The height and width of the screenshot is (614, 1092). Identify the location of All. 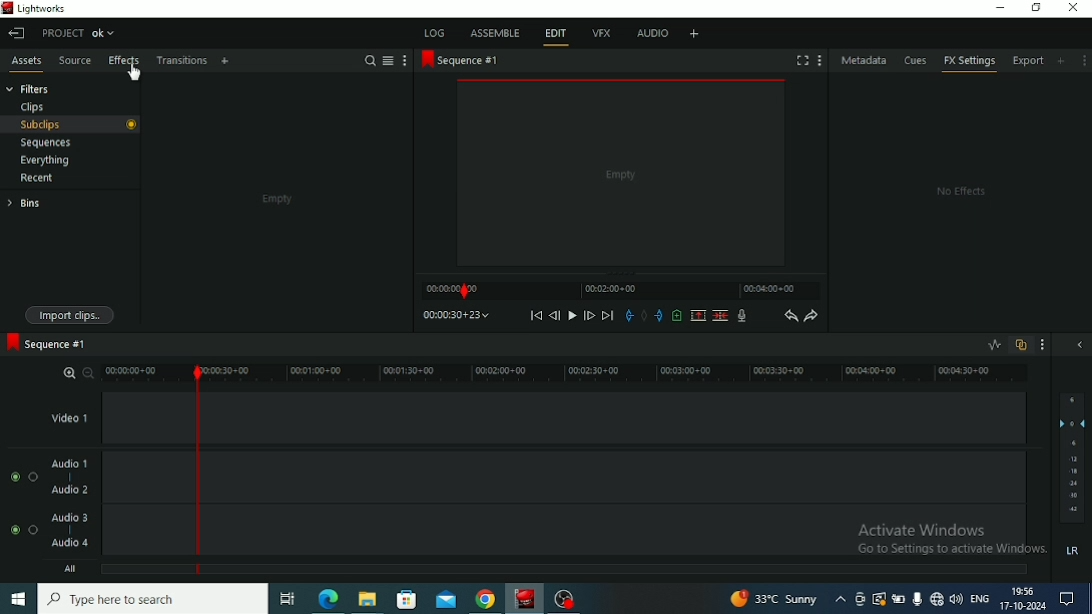
(111, 571).